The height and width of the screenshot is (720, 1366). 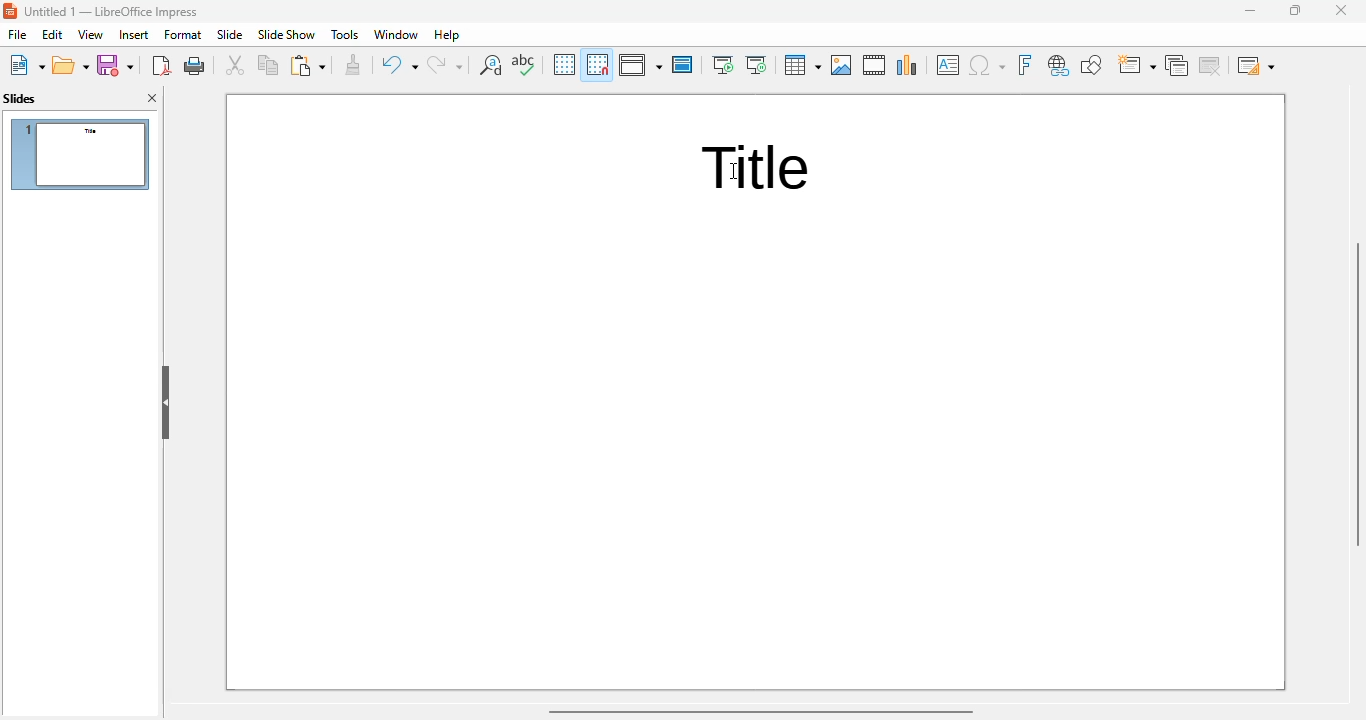 I want to click on start from first slide, so click(x=723, y=65).